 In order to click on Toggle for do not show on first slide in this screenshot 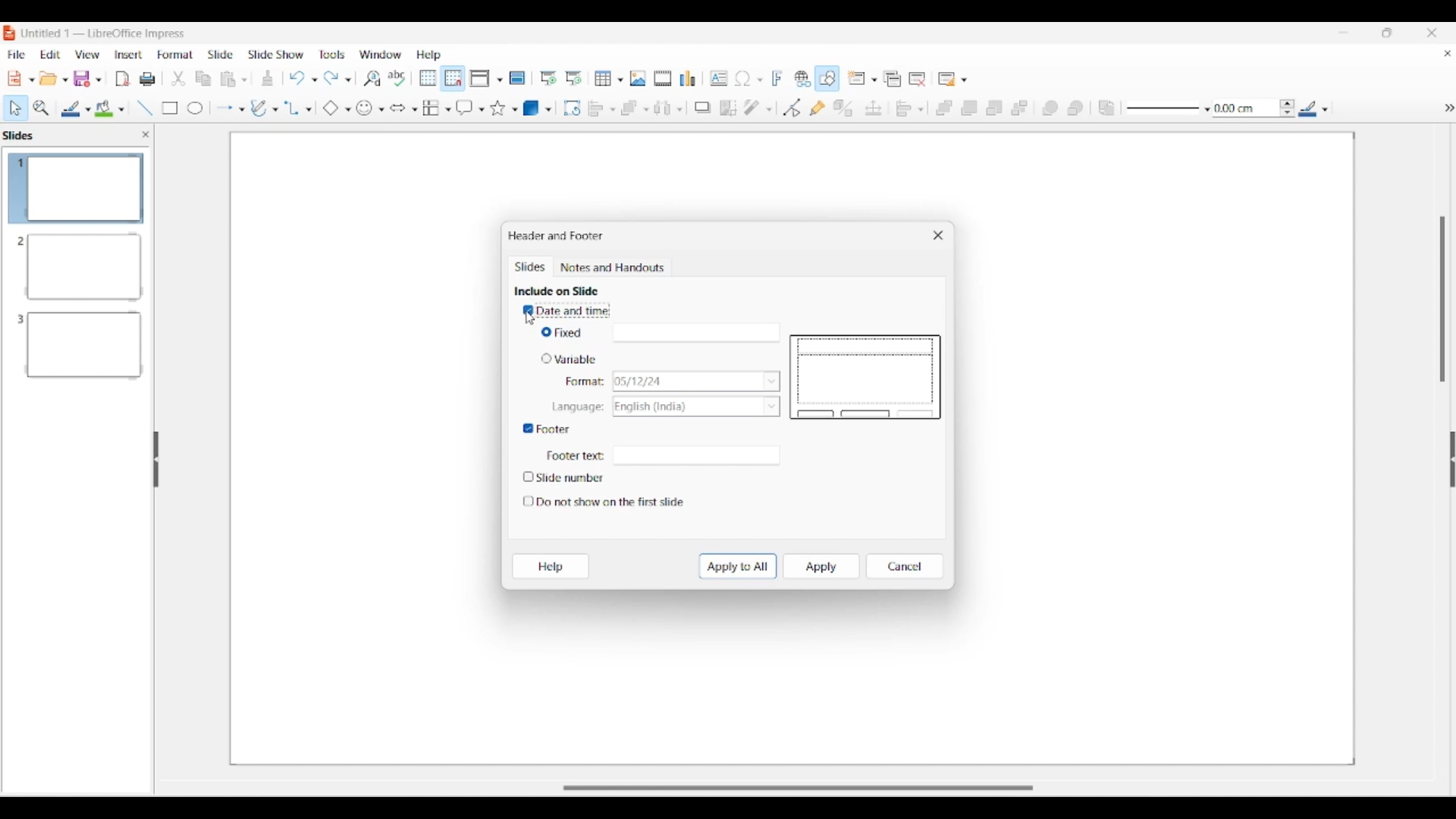, I will do `click(604, 502)`.